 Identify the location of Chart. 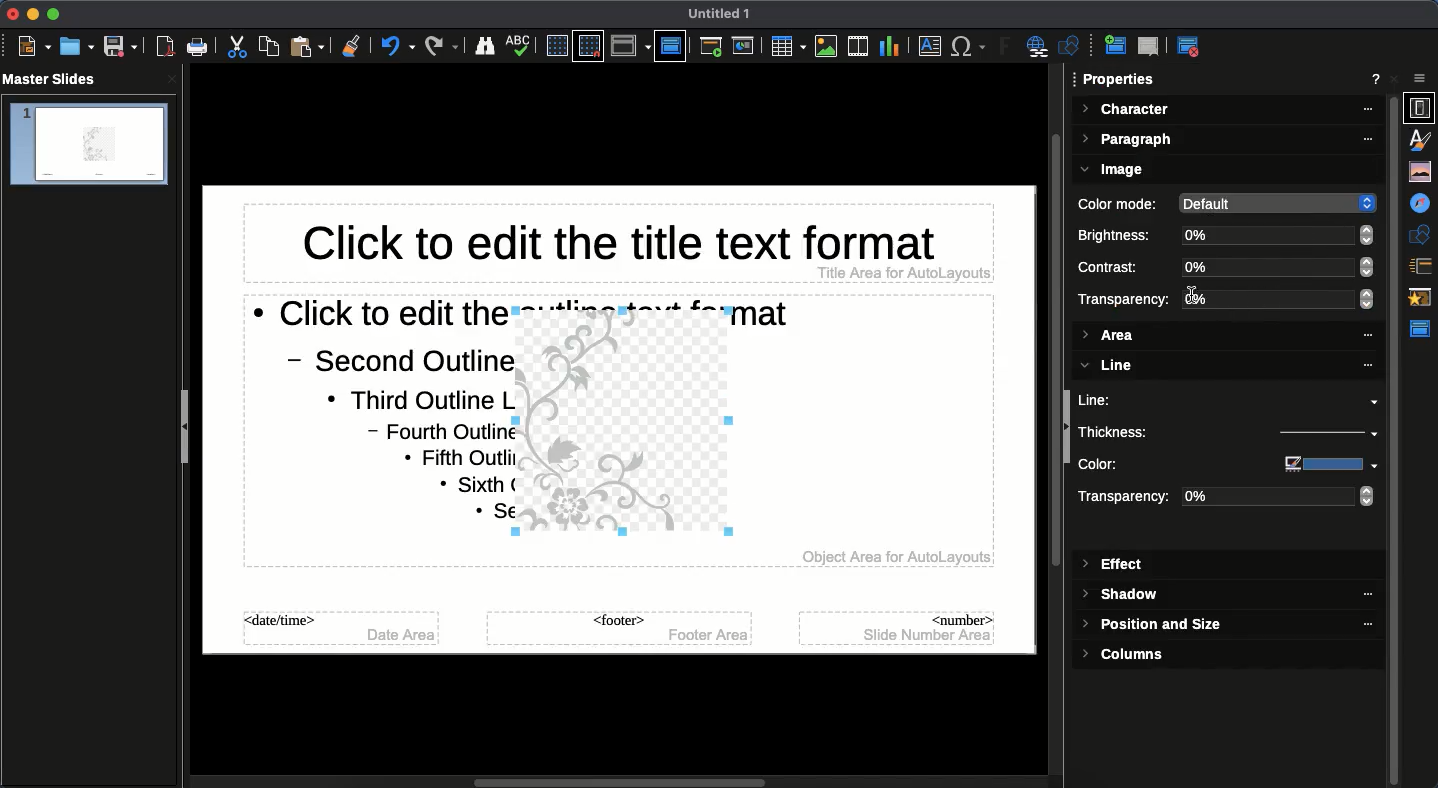
(889, 45).